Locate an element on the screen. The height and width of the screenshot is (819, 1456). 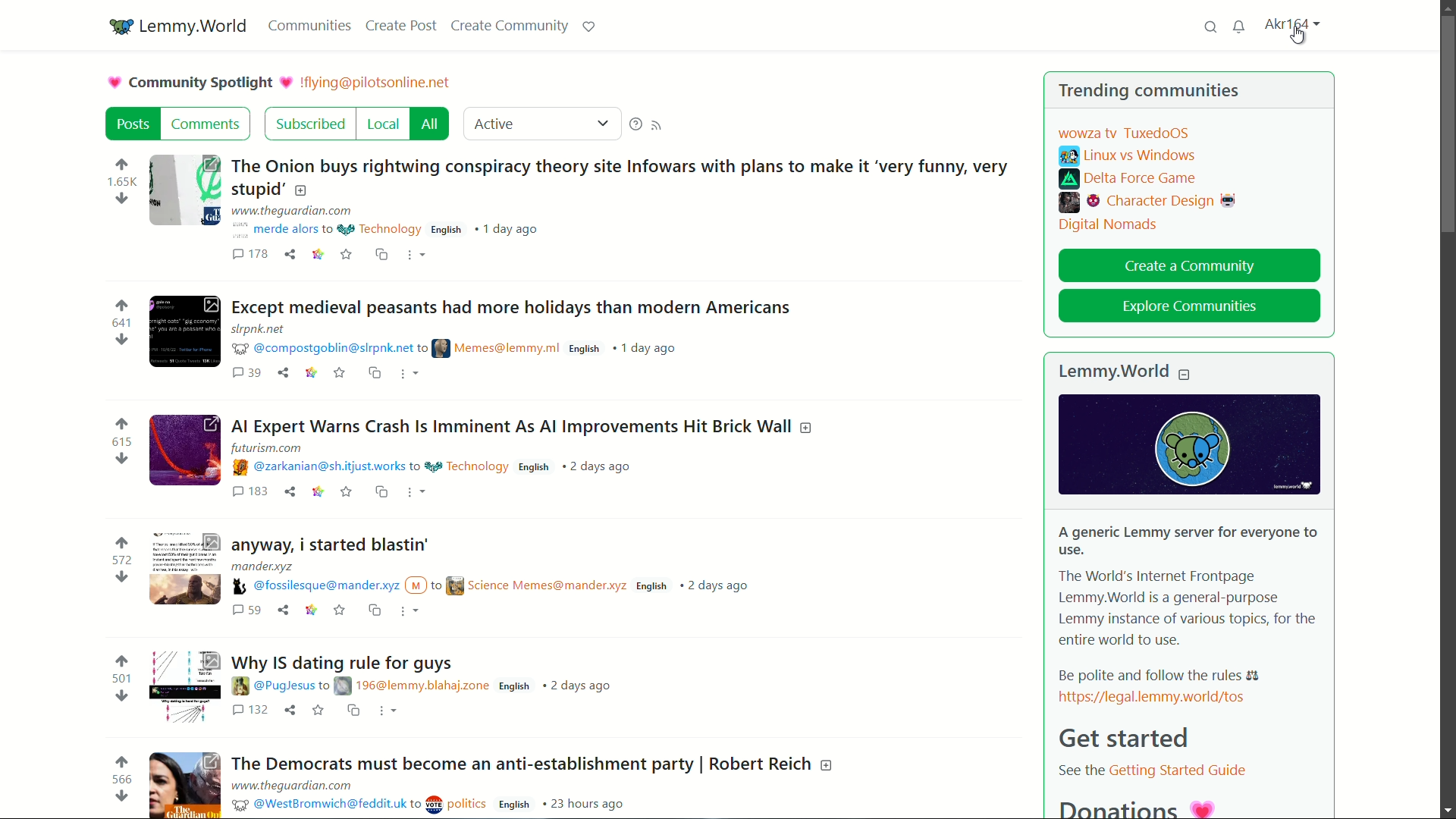
more is located at coordinates (415, 255).